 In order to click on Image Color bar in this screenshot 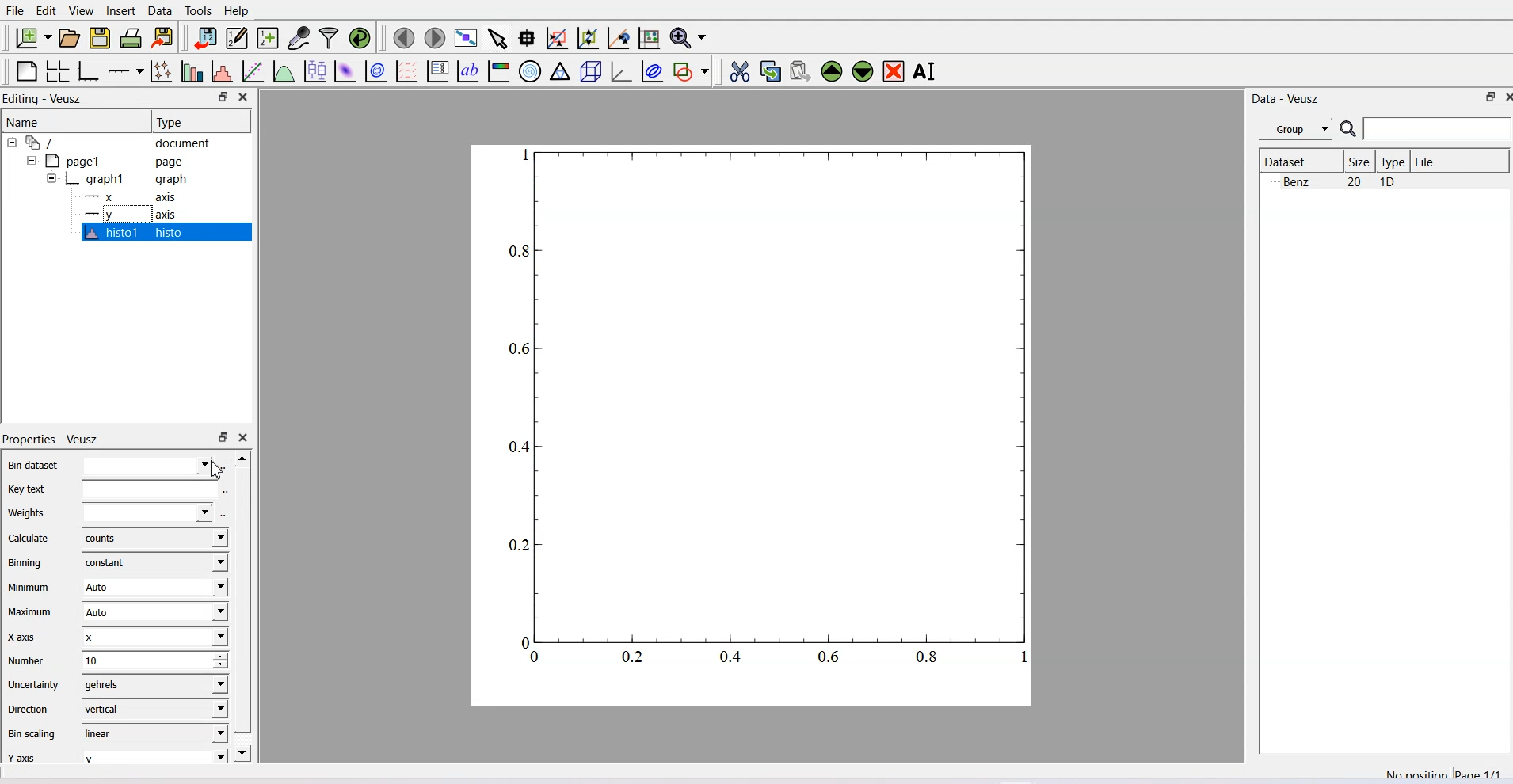, I will do `click(499, 72)`.